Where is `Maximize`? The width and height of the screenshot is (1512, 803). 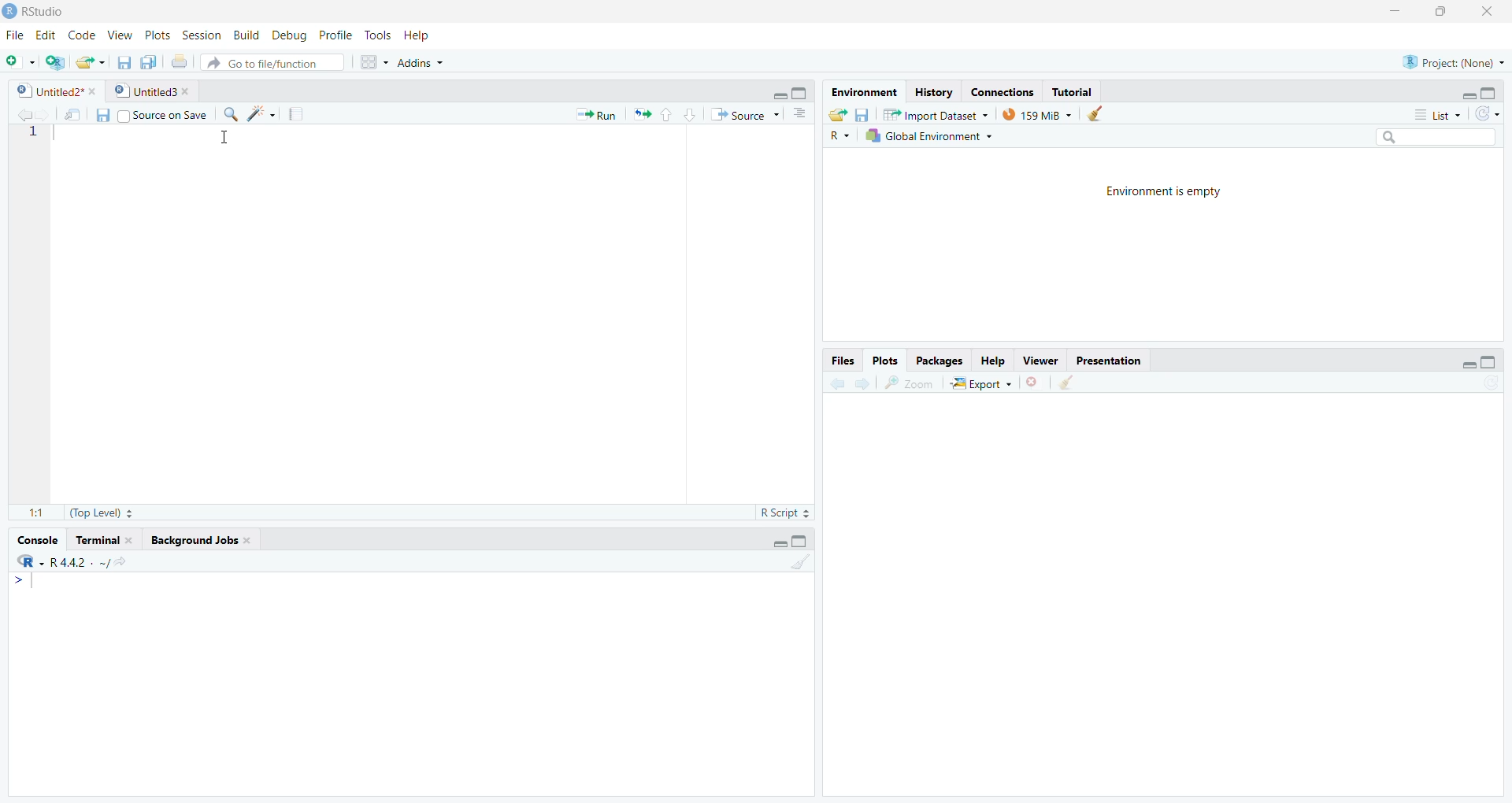 Maximize is located at coordinates (1490, 364).